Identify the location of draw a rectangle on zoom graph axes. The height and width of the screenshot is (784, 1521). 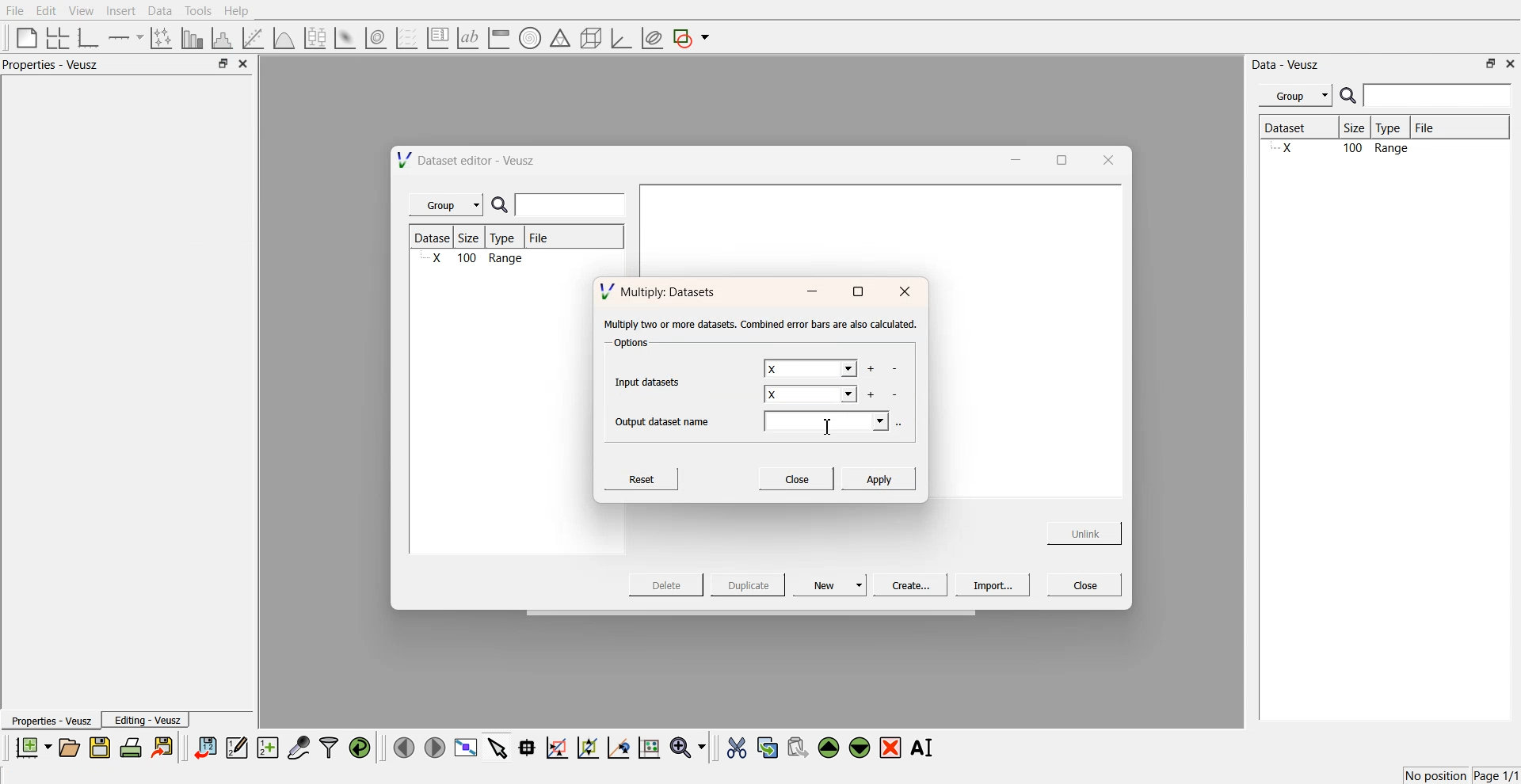
(556, 746).